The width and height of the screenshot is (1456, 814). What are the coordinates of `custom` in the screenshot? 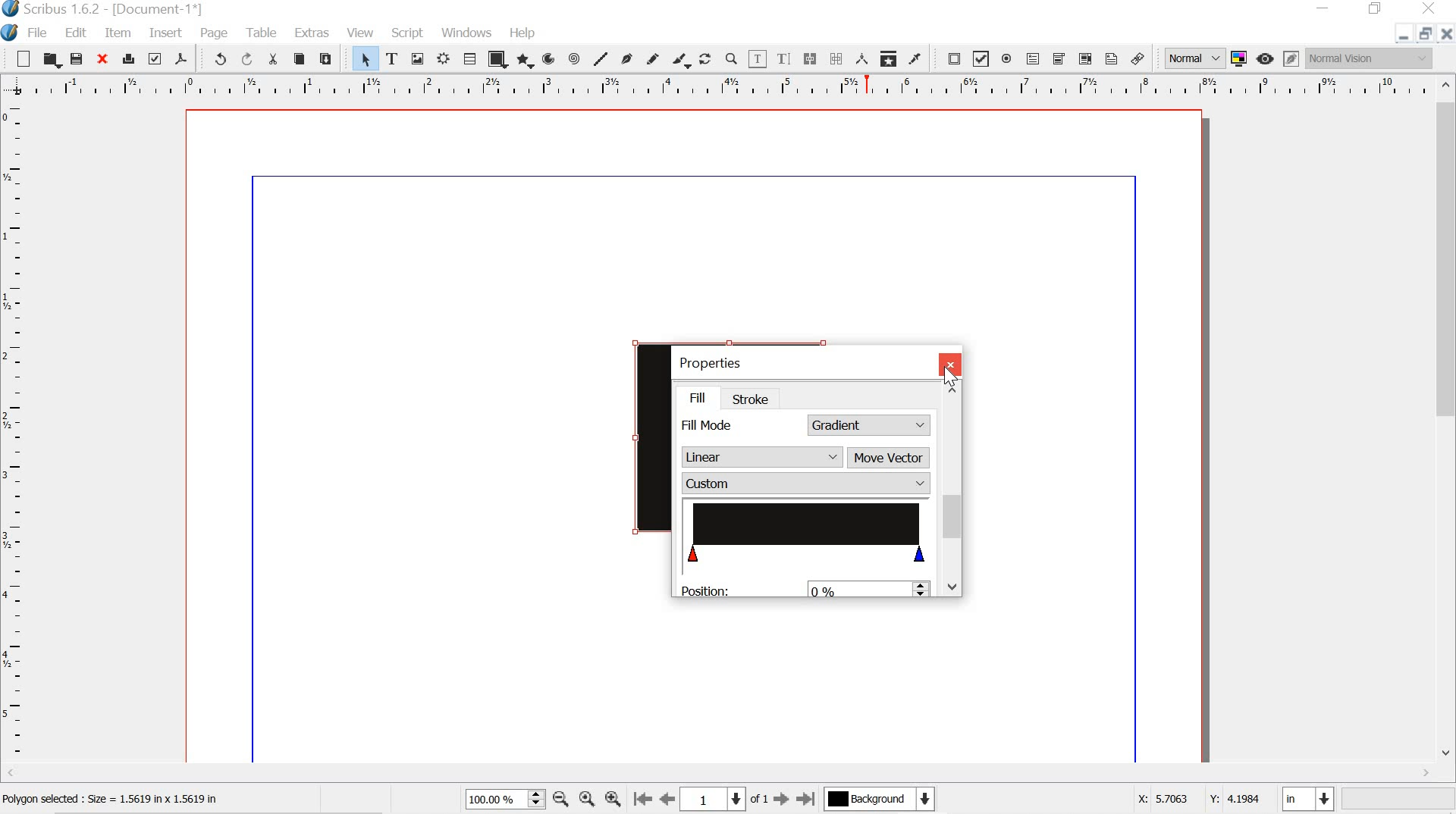 It's located at (805, 484).